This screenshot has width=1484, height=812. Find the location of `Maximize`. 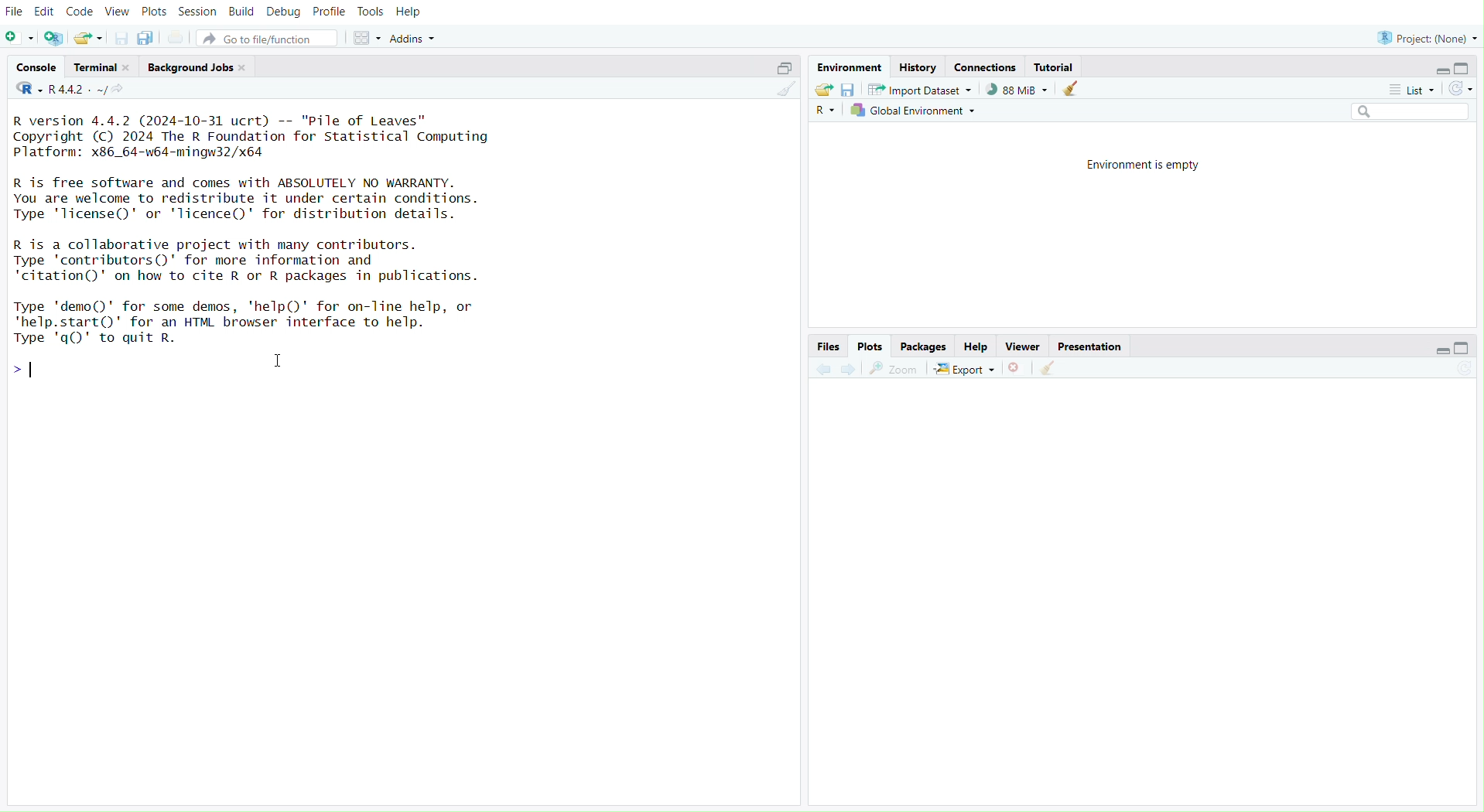

Maximize is located at coordinates (781, 70).